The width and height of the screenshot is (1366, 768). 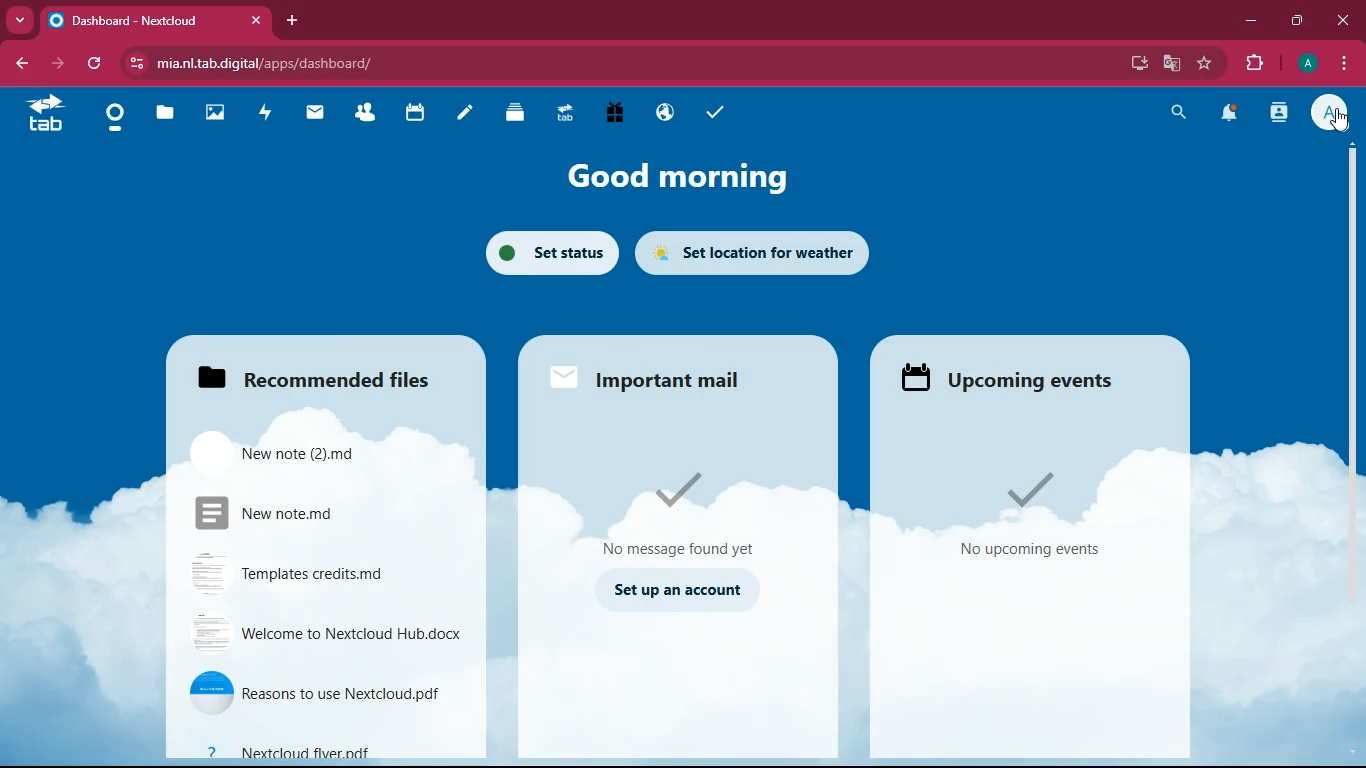 What do you see at coordinates (171, 114) in the screenshot?
I see `files` at bounding box center [171, 114].